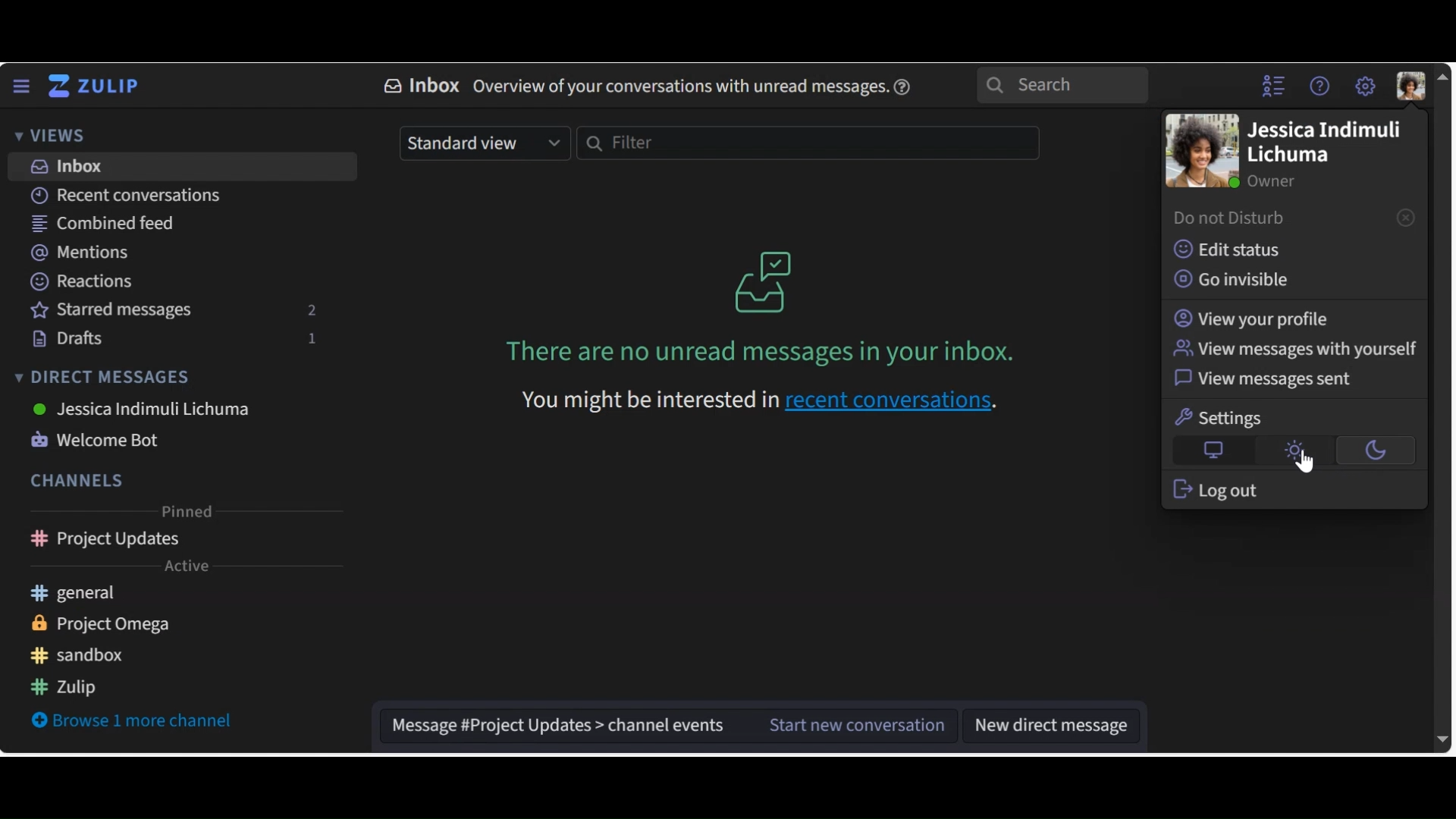 The height and width of the screenshot is (819, 1456). What do you see at coordinates (1413, 86) in the screenshot?
I see `Personal menu` at bounding box center [1413, 86].